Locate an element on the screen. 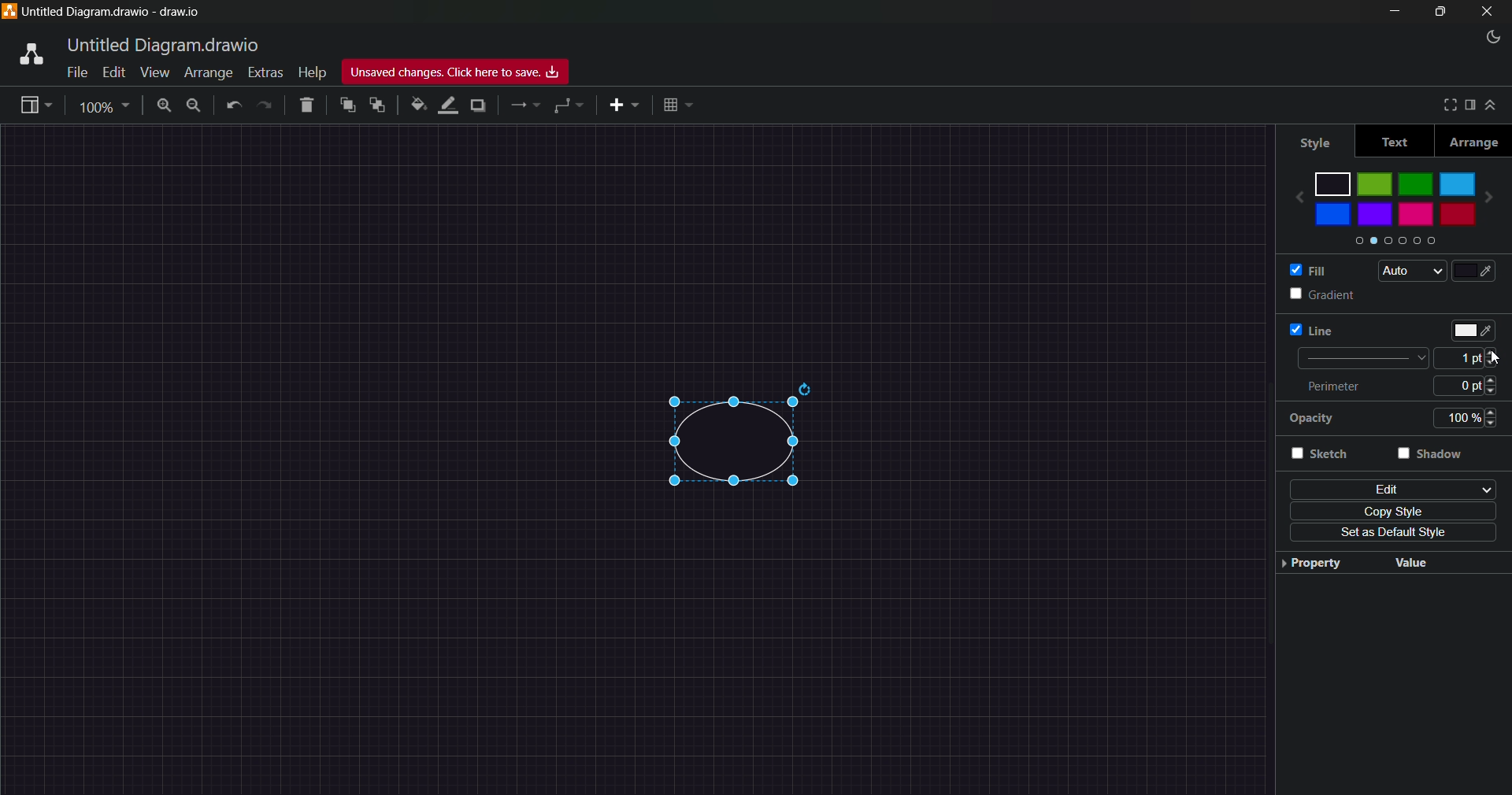 The image size is (1512, 795). extras is located at coordinates (265, 71).